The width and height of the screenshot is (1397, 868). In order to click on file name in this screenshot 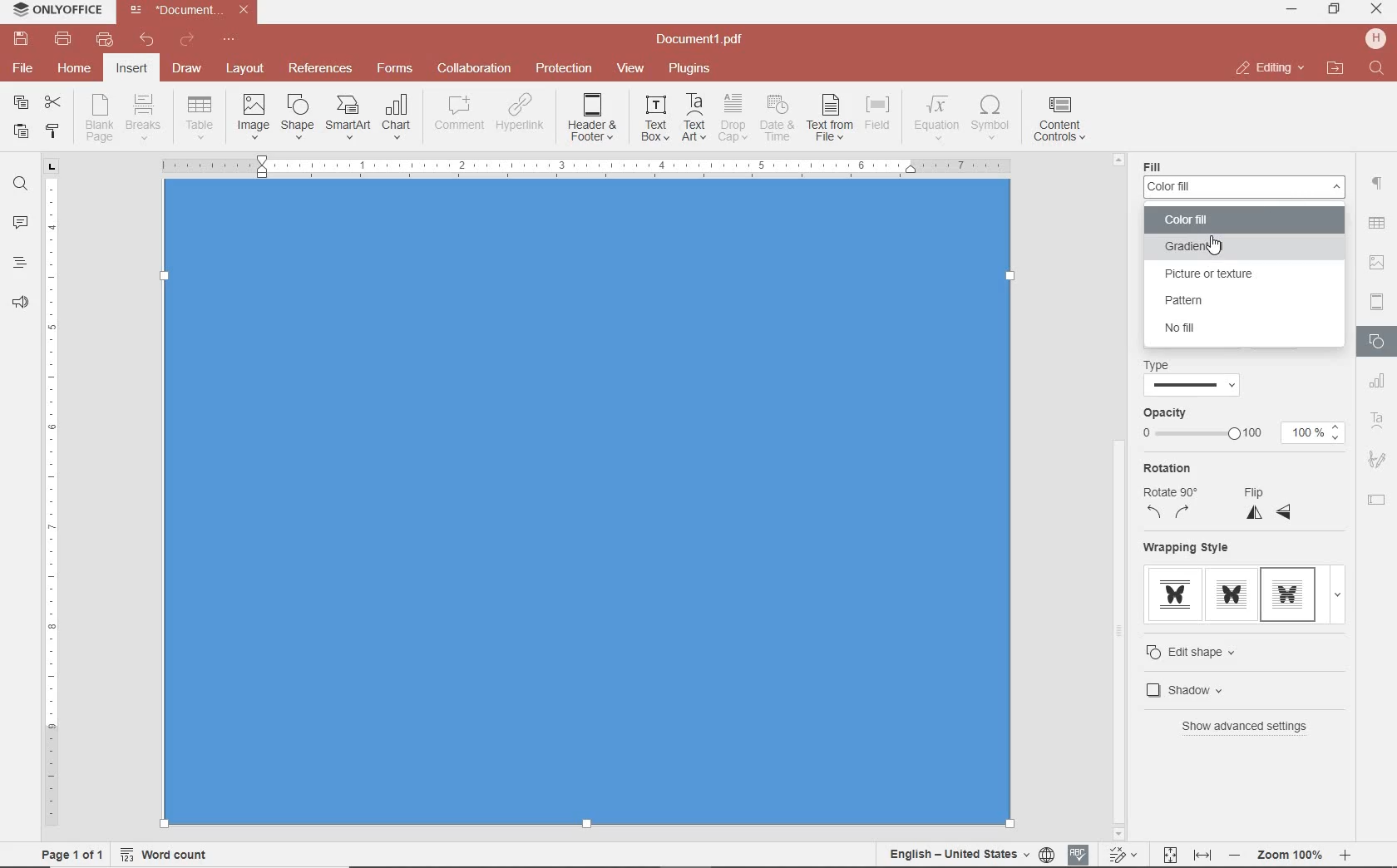, I will do `click(704, 40)`.